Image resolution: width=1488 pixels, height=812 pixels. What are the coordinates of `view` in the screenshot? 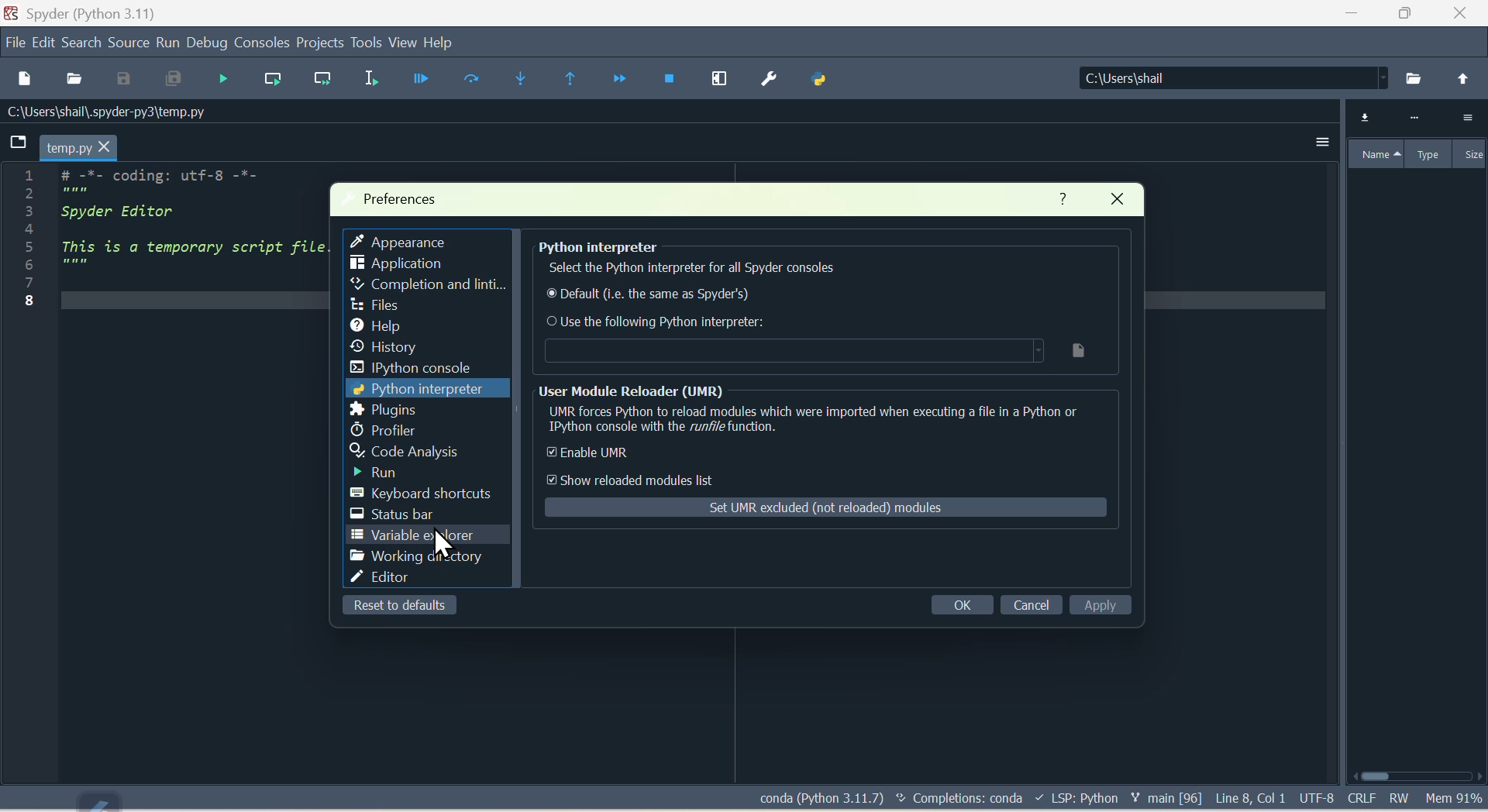 It's located at (405, 43).